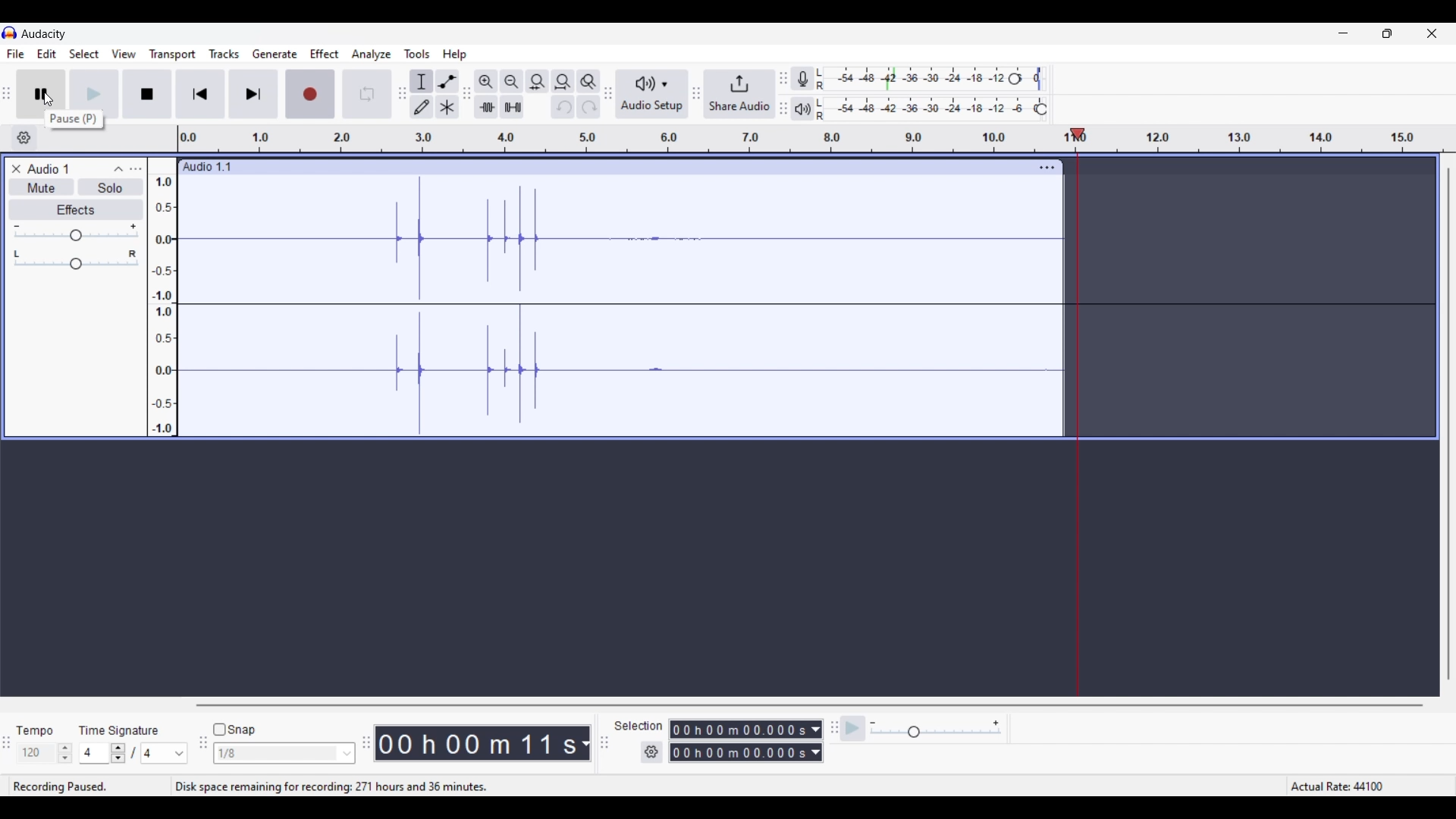 This screenshot has height=819, width=1456. Describe the element at coordinates (372, 55) in the screenshot. I see `Analyze menu` at that location.